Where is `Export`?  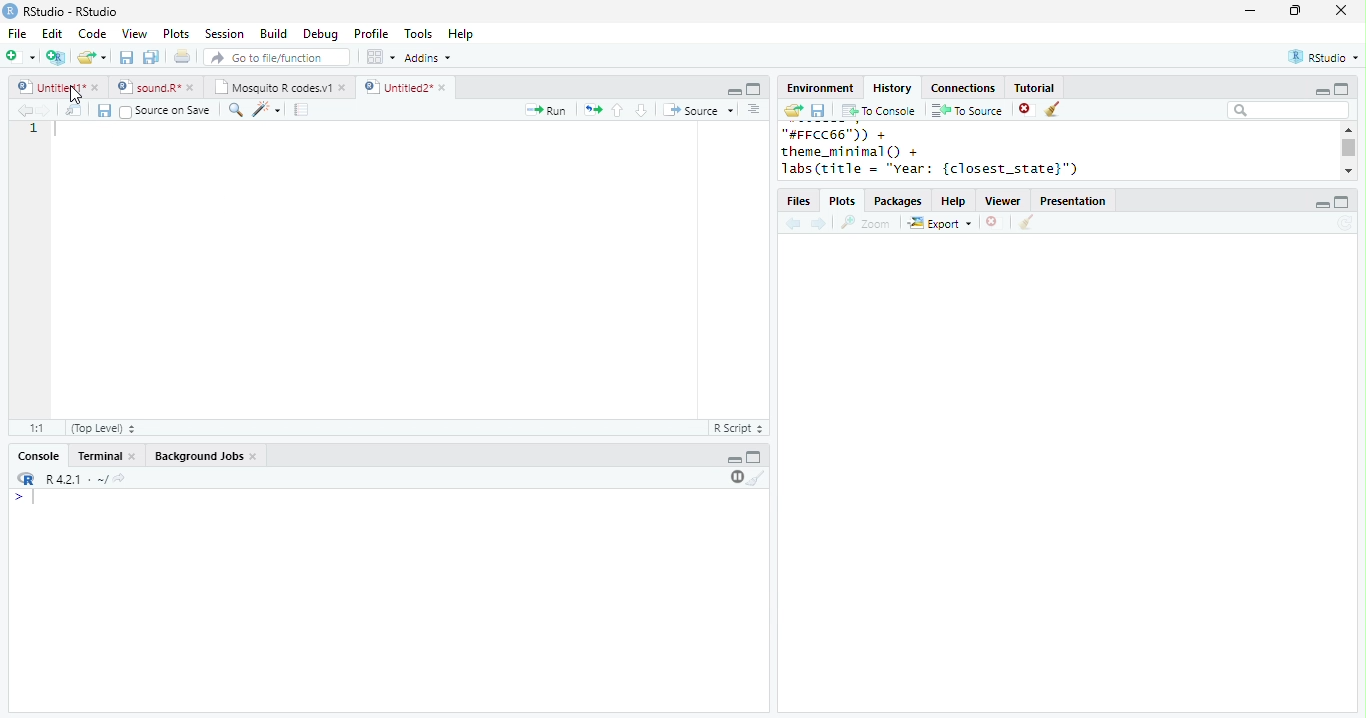 Export is located at coordinates (941, 224).